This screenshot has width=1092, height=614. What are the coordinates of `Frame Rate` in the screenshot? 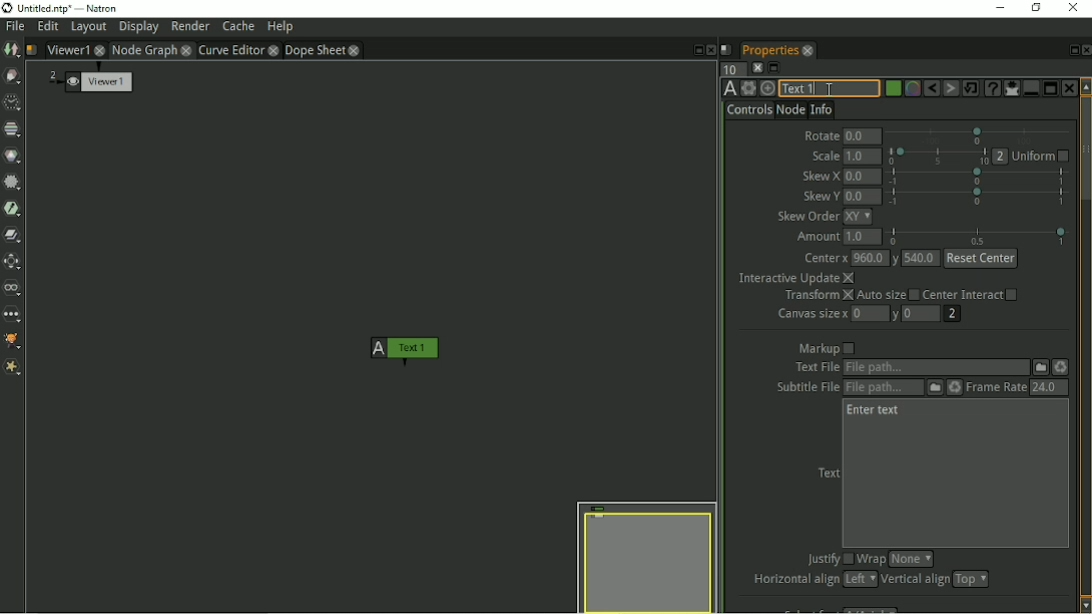 It's located at (996, 388).